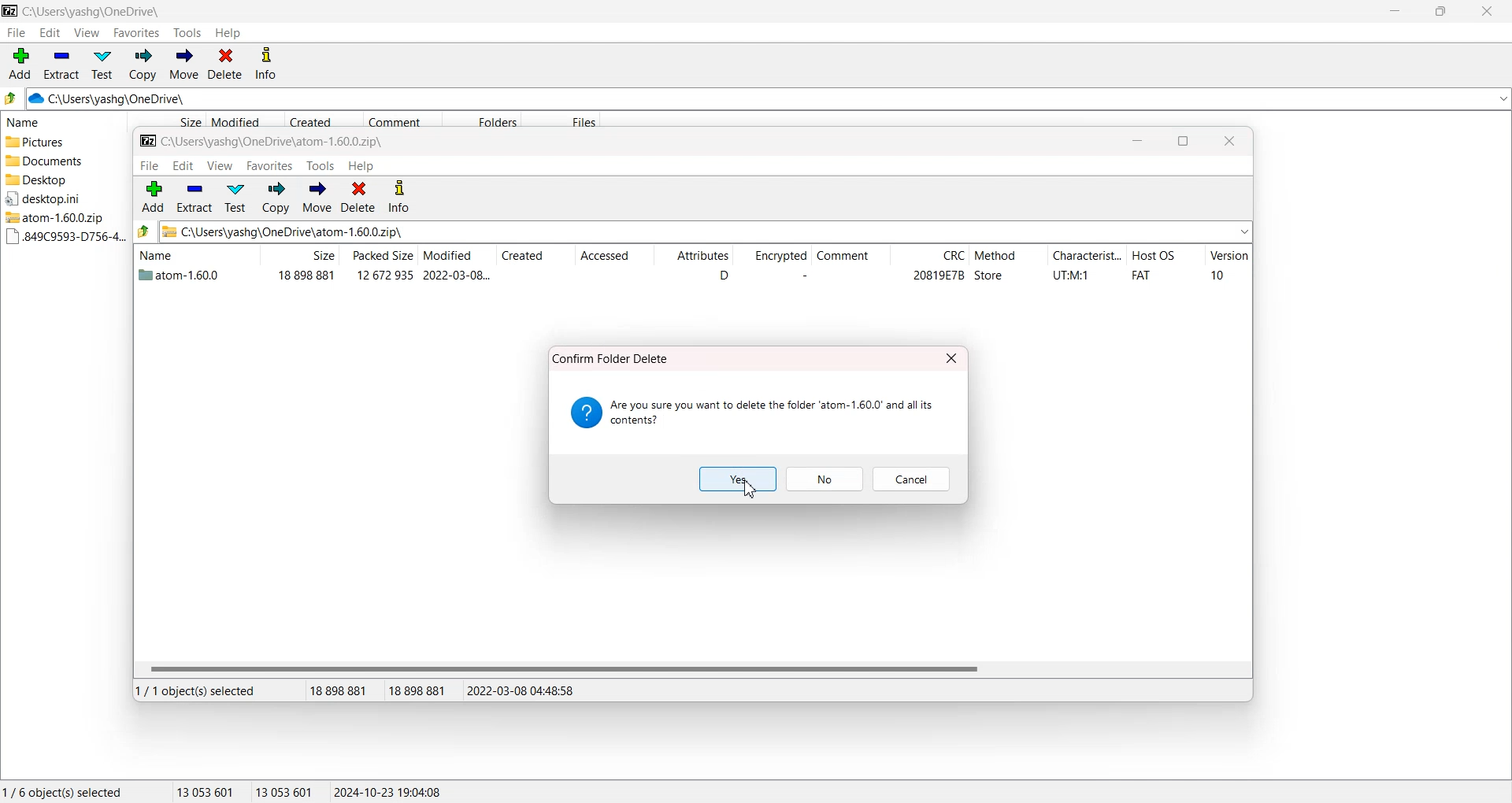 This screenshot has width=1512, height=803. I want to click on favorites, so click(271, 166).